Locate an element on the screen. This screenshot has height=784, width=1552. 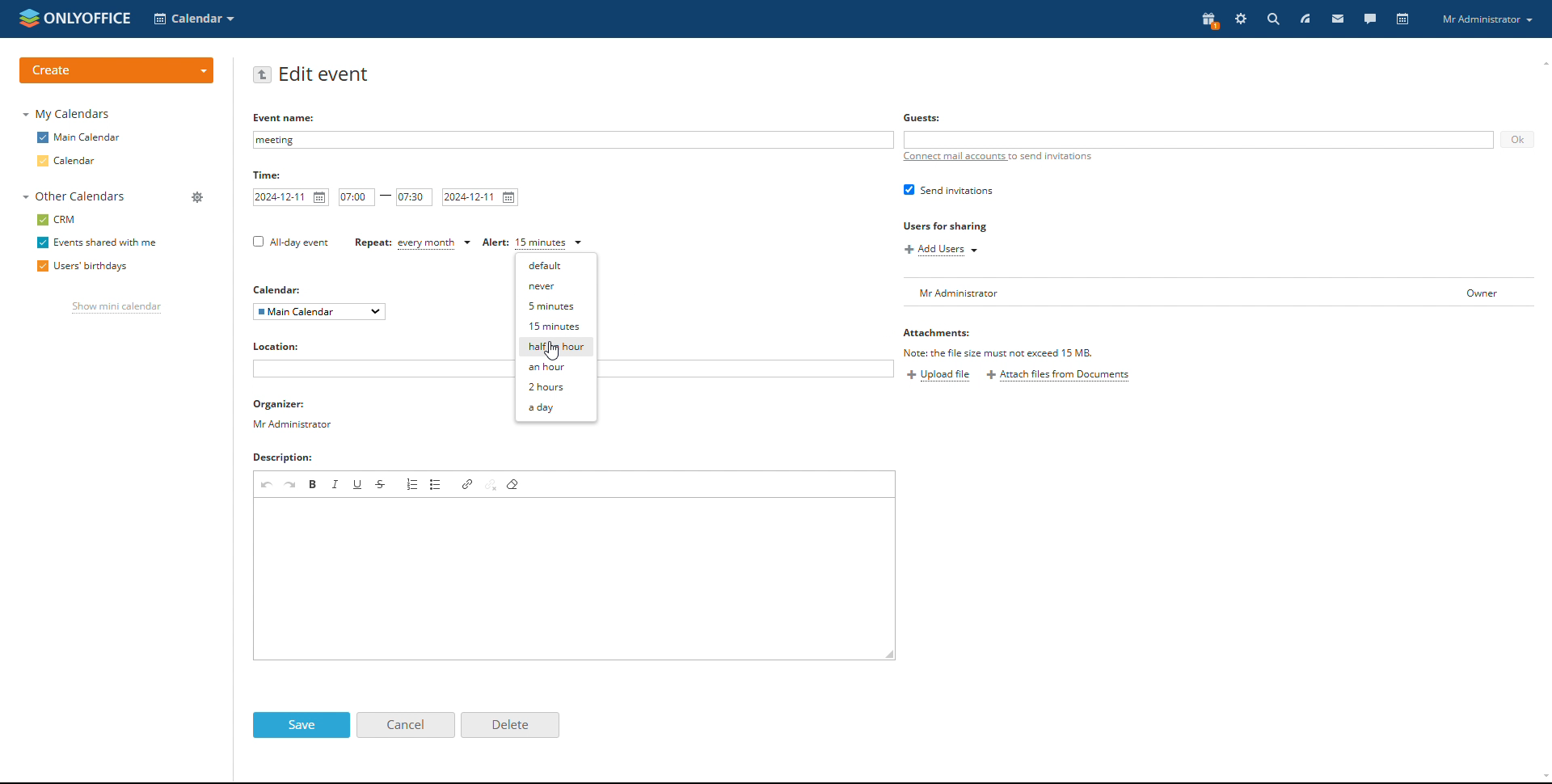
upload file is located at coordinates (940, 376).